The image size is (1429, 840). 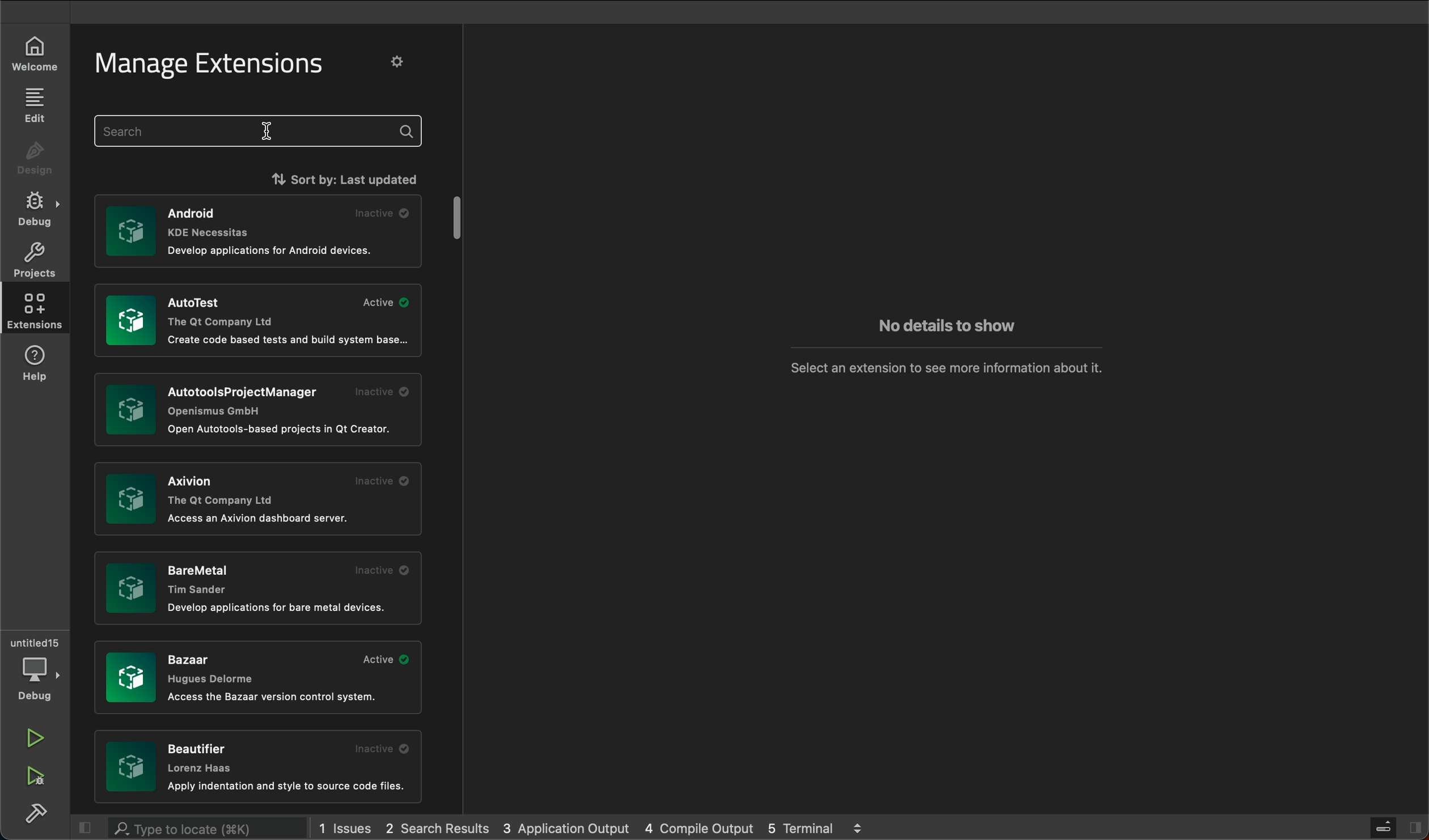 I want to click on search, so click(x=260, y=133).